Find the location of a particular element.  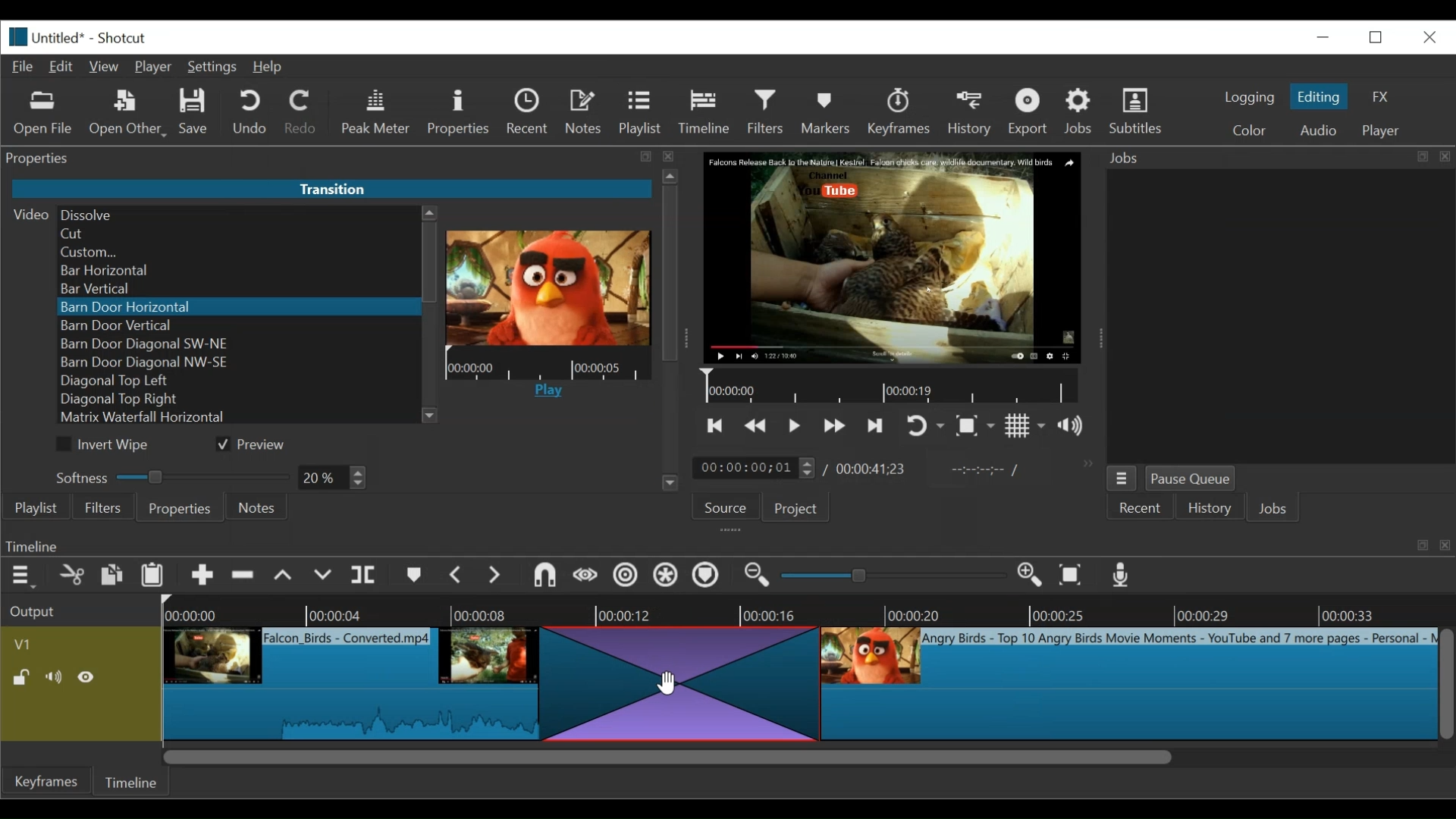

Vertical Scroll bar is located at coordinates (1447, 684).